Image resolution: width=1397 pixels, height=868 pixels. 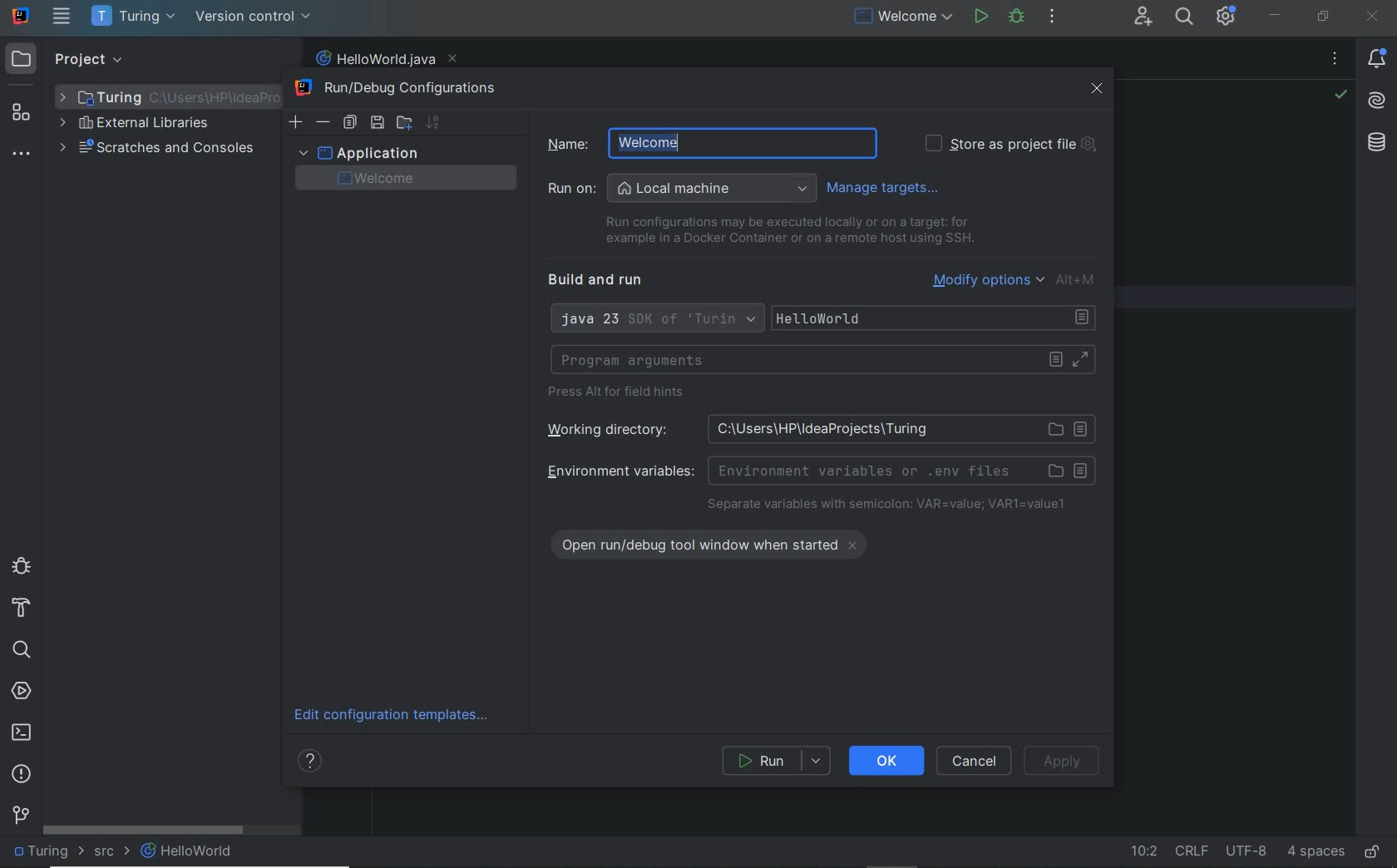 What do you see at coordinates (144, 830) in the screenshot?
I see `scrollbar` at bounding box center [144, 830].